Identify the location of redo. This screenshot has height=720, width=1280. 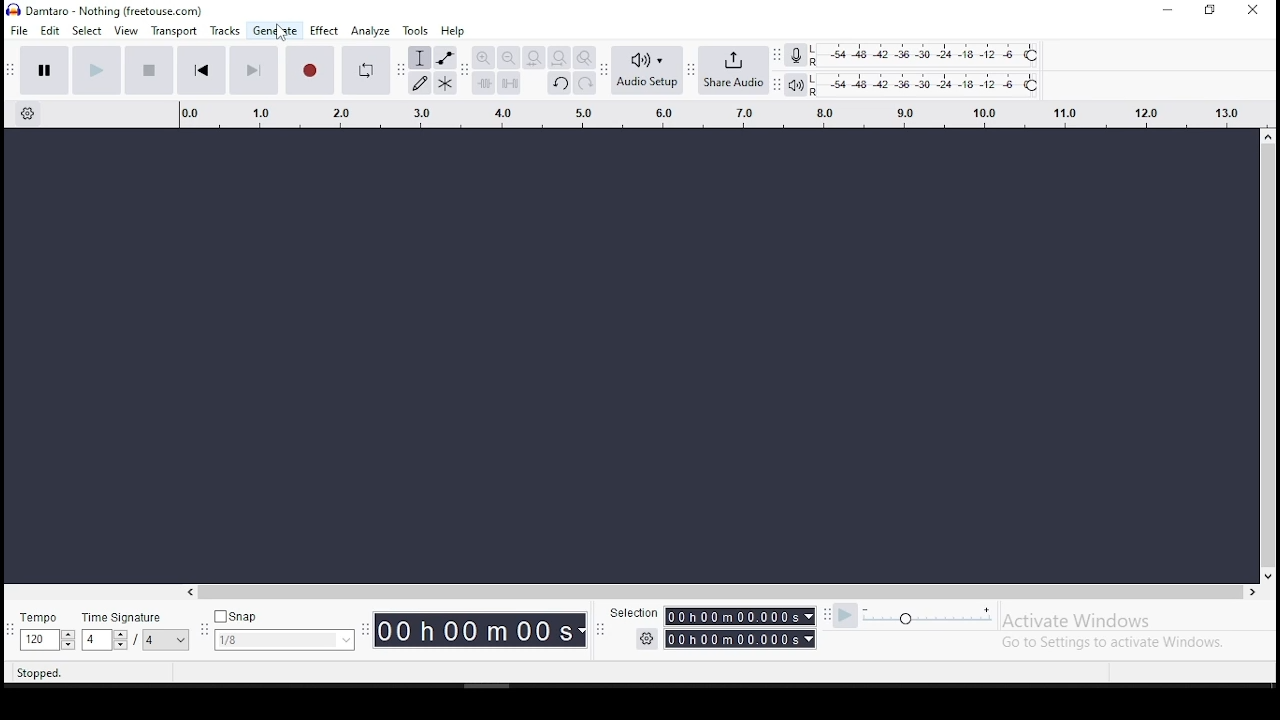
(585, 83).